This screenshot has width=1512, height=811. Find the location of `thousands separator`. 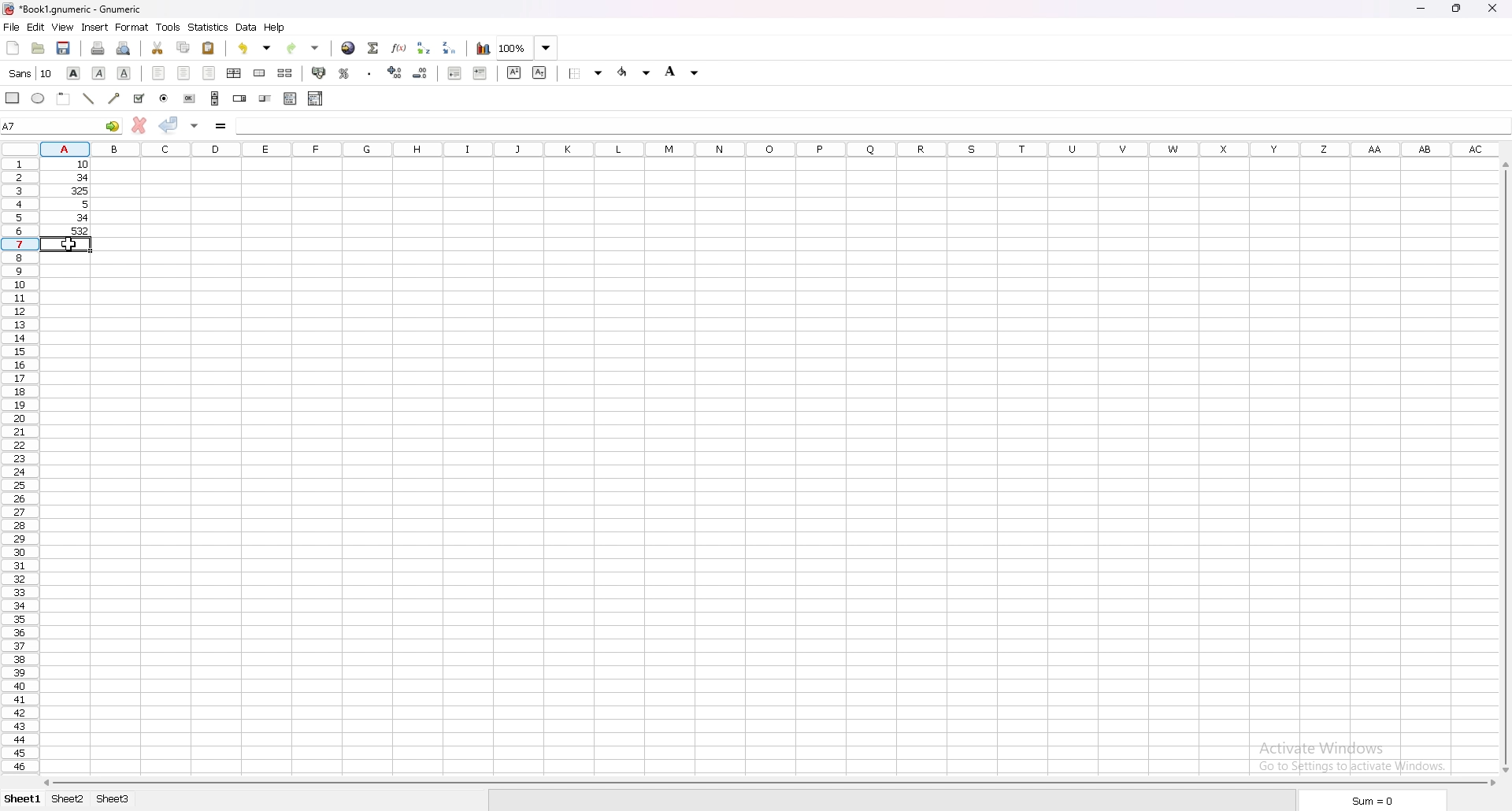

thousands separator is located at coordinates (369, 74).